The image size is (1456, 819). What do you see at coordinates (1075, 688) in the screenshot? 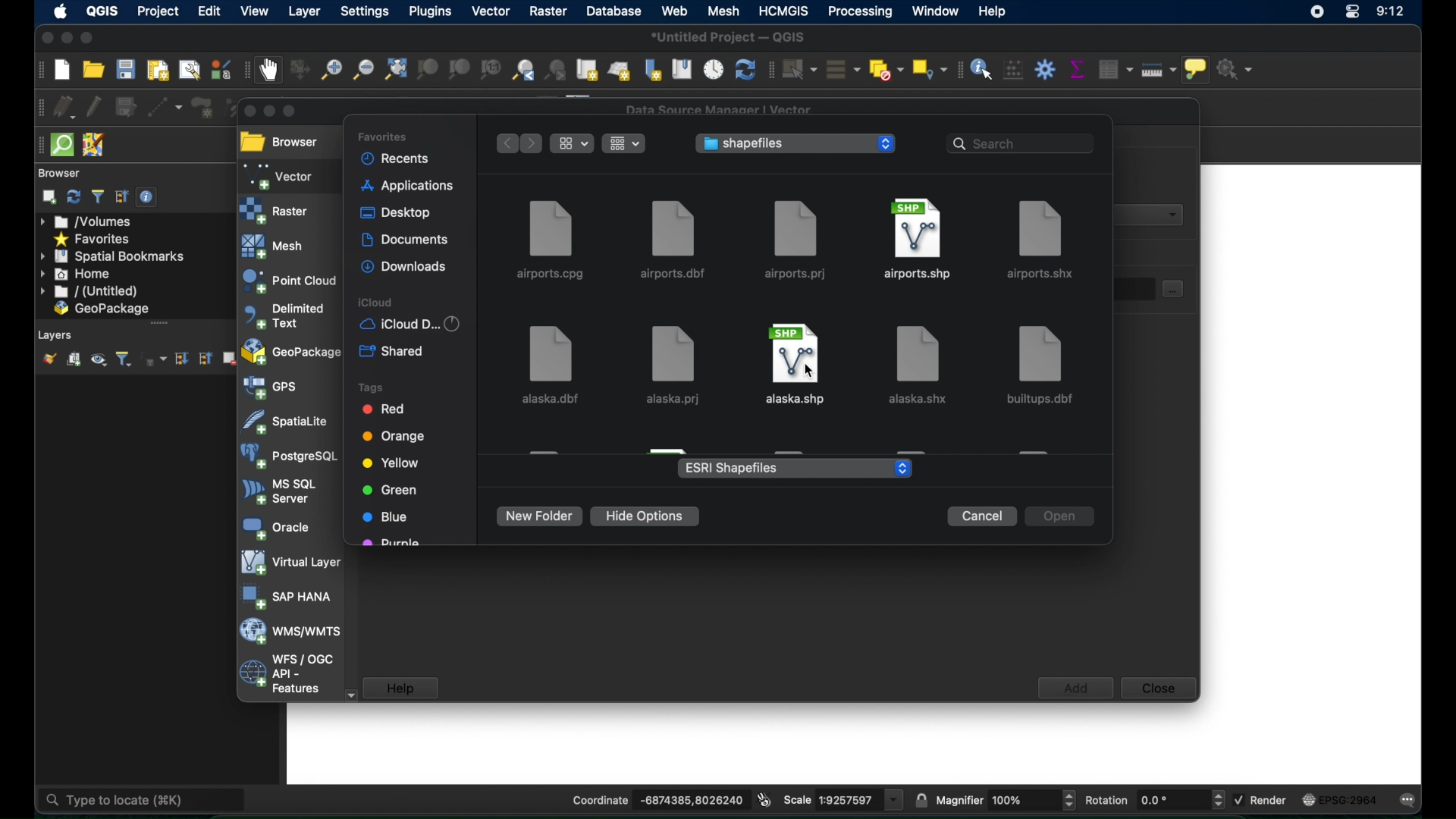
I see `add` at bounding box center [1075, 688].